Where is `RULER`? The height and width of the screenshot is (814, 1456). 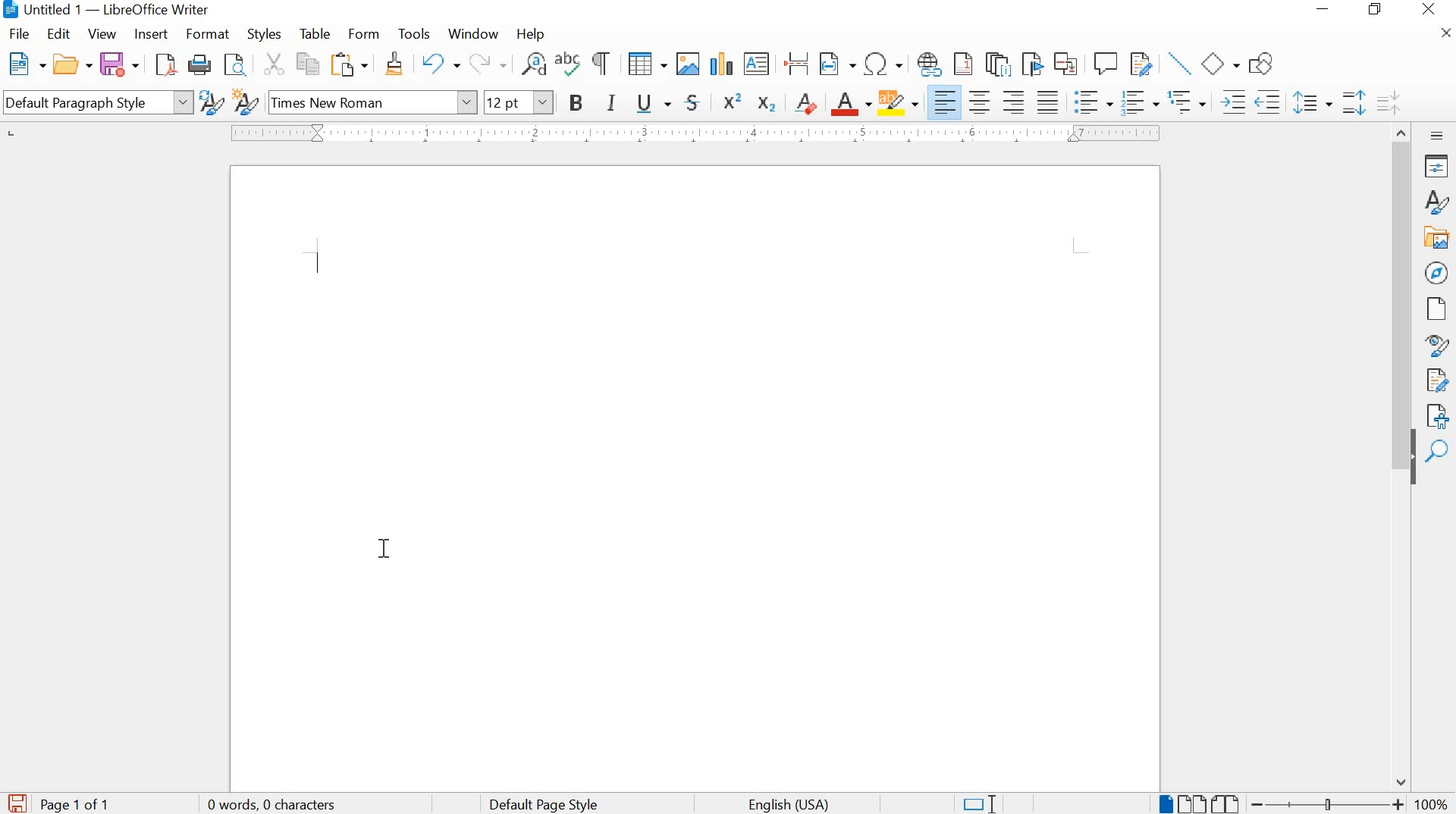
RULER is located at coordinates (684, 135).